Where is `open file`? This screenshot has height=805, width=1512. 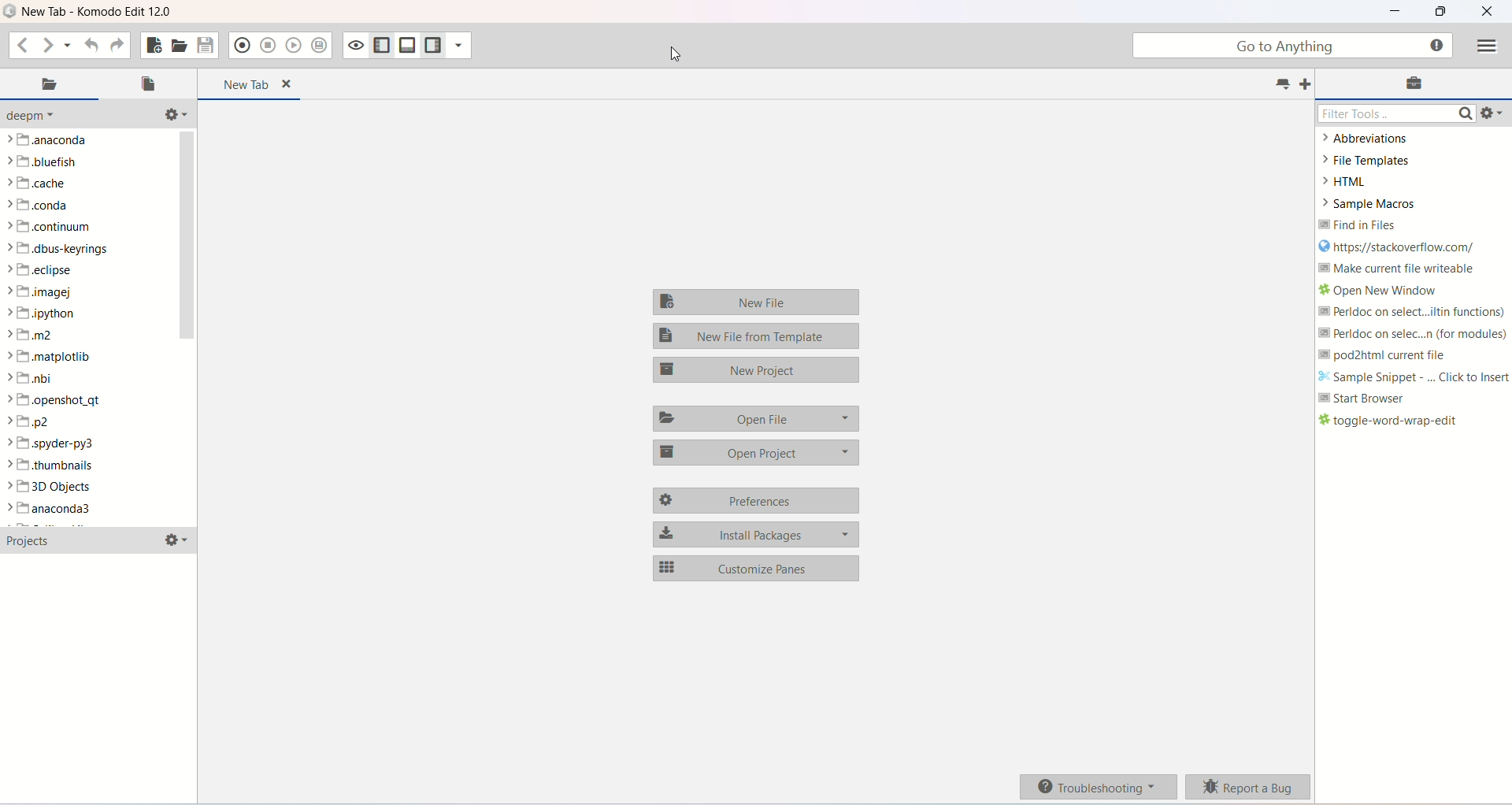
open file is located at coordinates (178, 45).